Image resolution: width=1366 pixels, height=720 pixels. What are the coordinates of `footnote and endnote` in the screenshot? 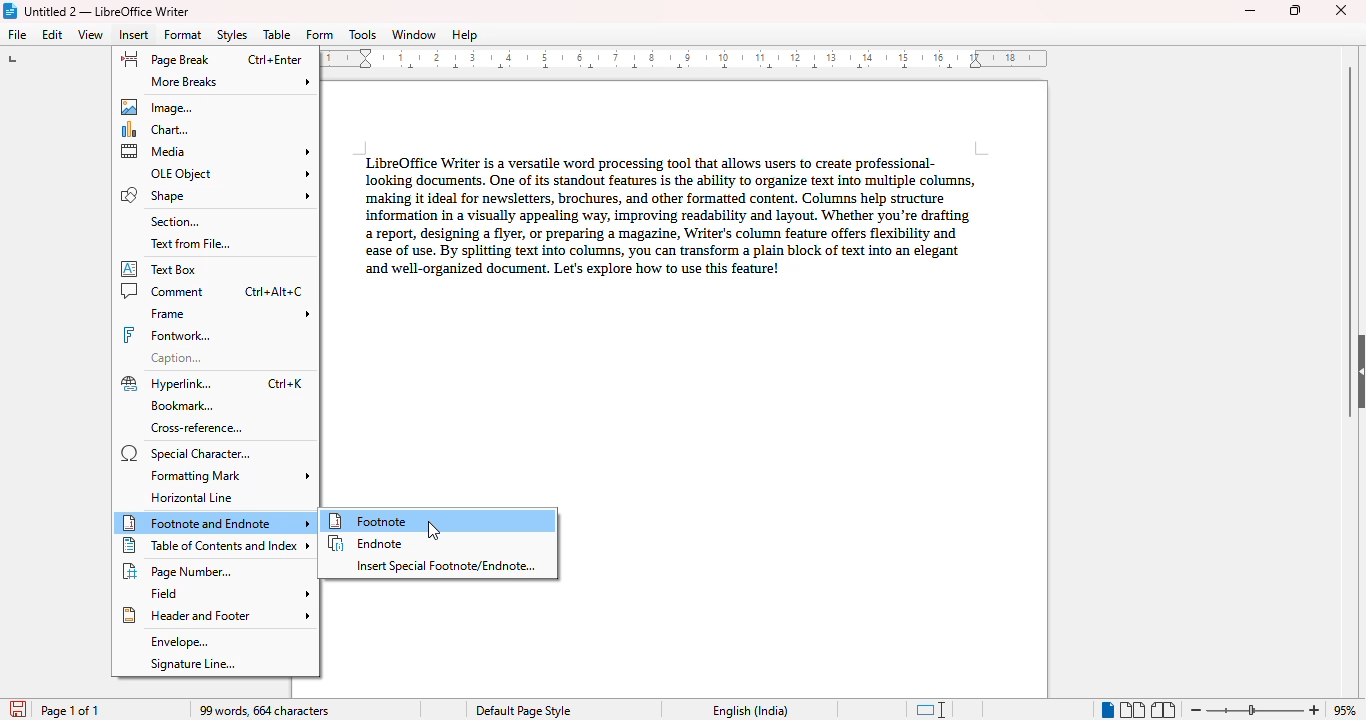 It's located at (216, 523).